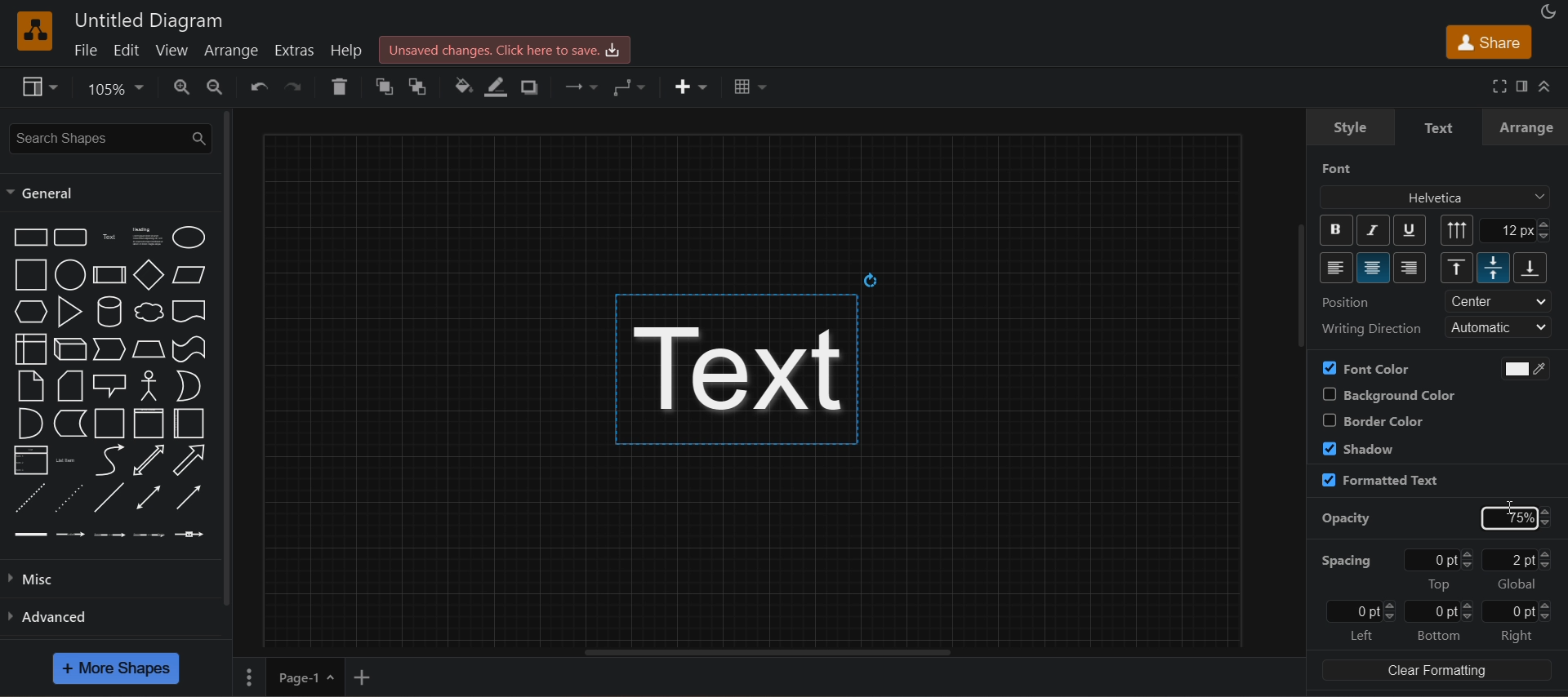 This screenshot has width=1568, height=697. I want to click on directional connector, so click(189, 497).